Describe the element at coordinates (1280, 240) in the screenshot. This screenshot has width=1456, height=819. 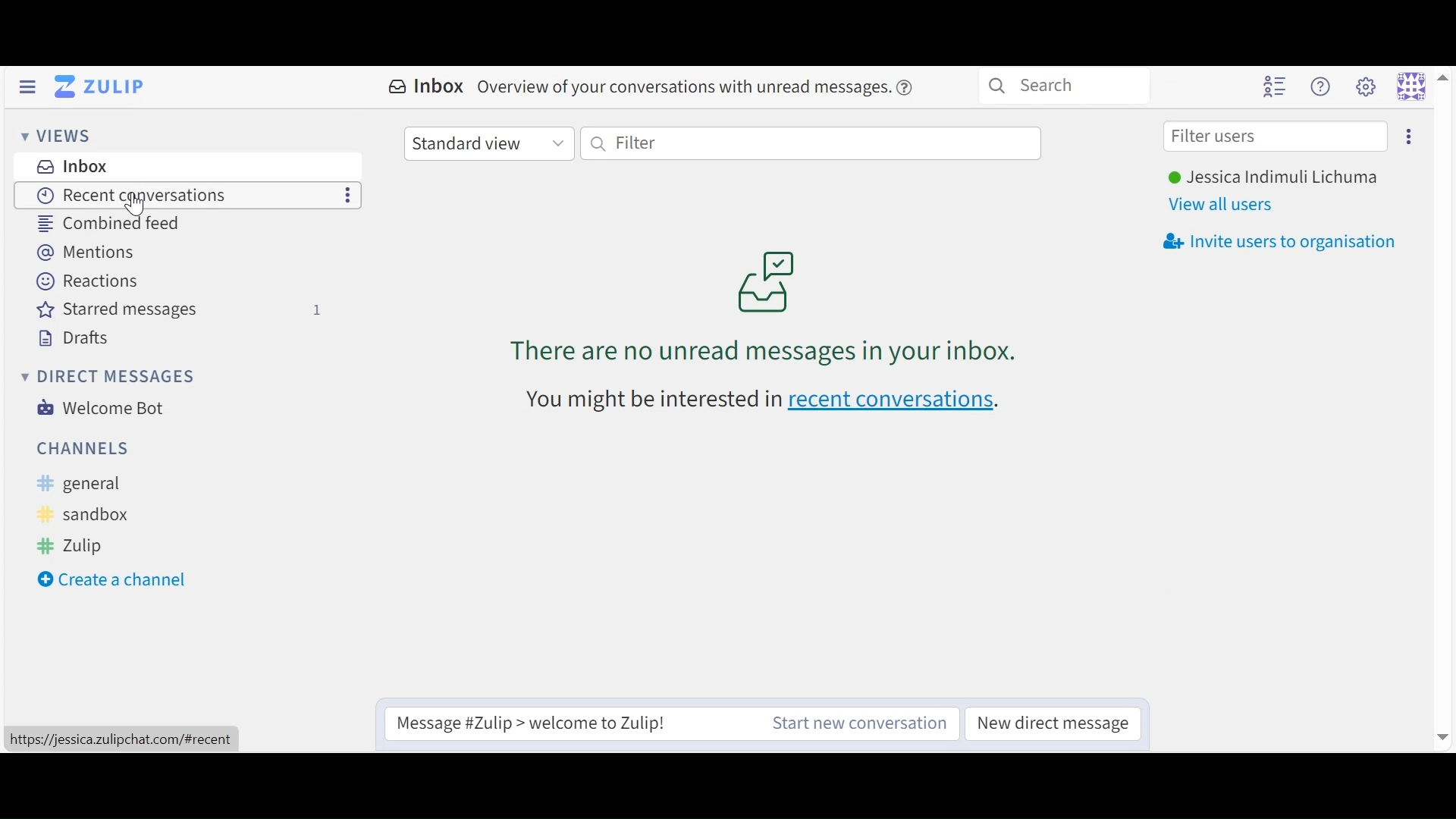
I see `Invite users to organisation` at that location.